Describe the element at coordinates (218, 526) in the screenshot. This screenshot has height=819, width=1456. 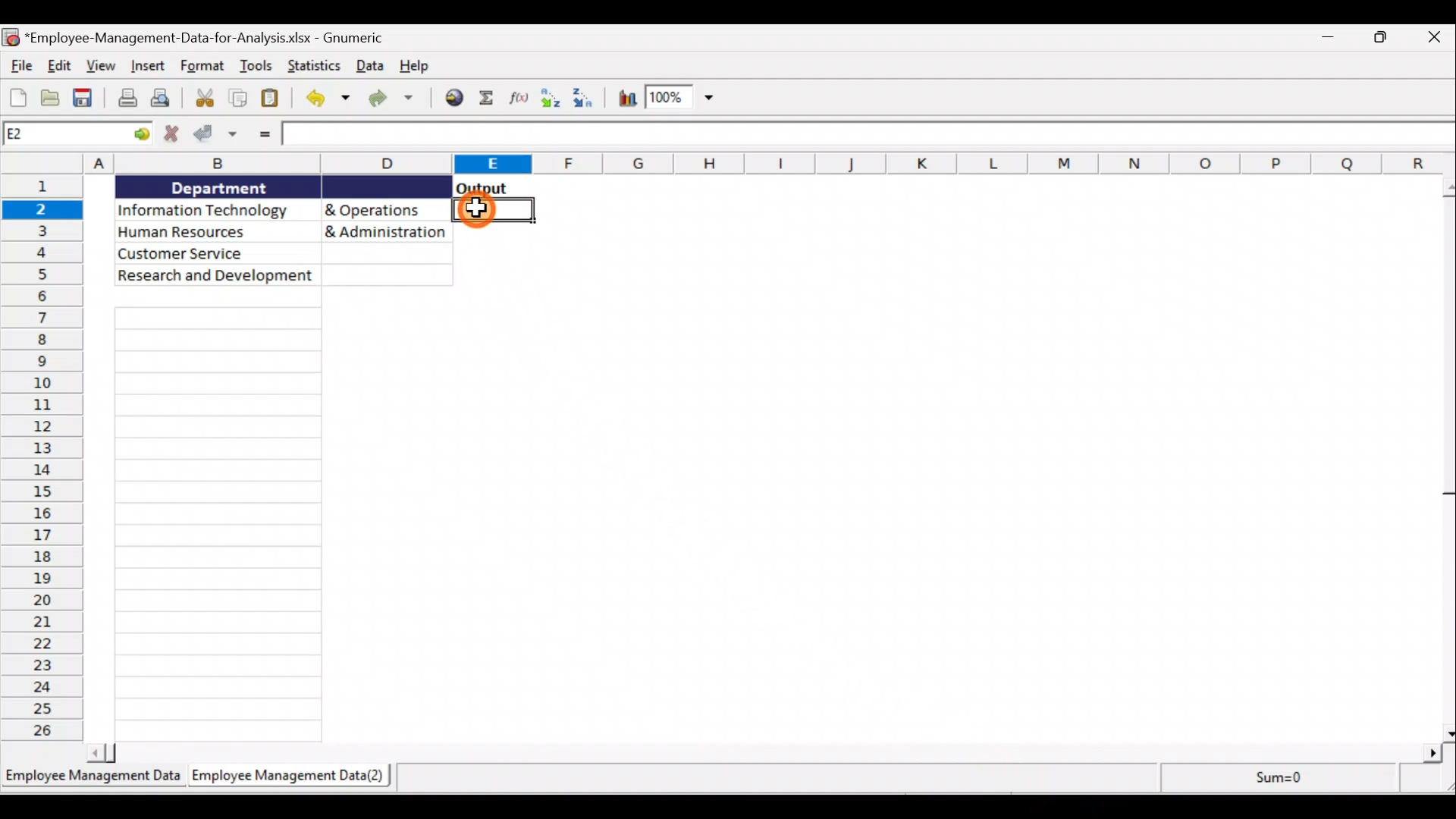
I see `column` at that location.